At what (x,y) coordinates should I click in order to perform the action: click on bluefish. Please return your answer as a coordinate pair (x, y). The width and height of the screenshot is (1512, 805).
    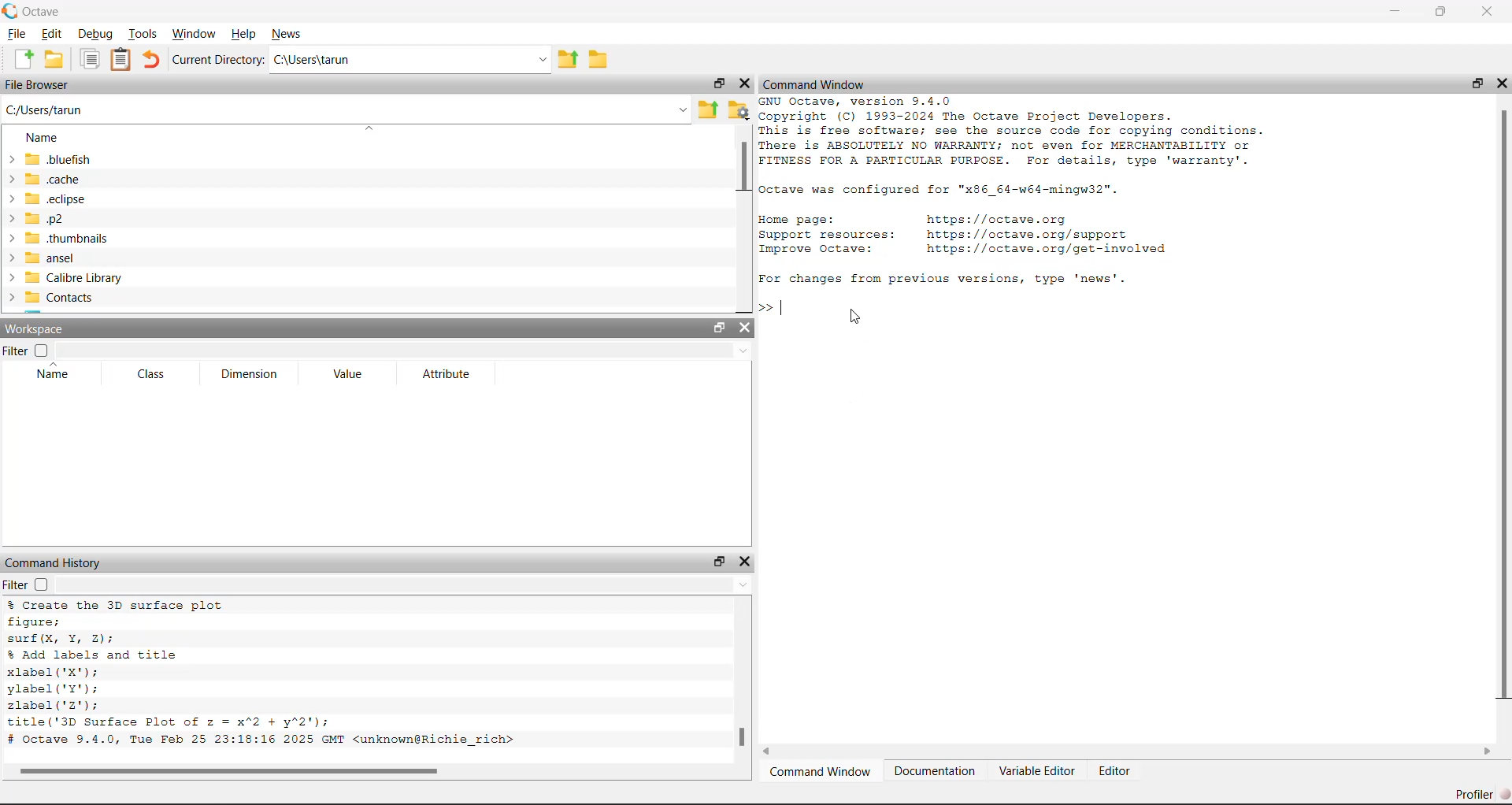
    Looking at the image, I should click on (49, 161).